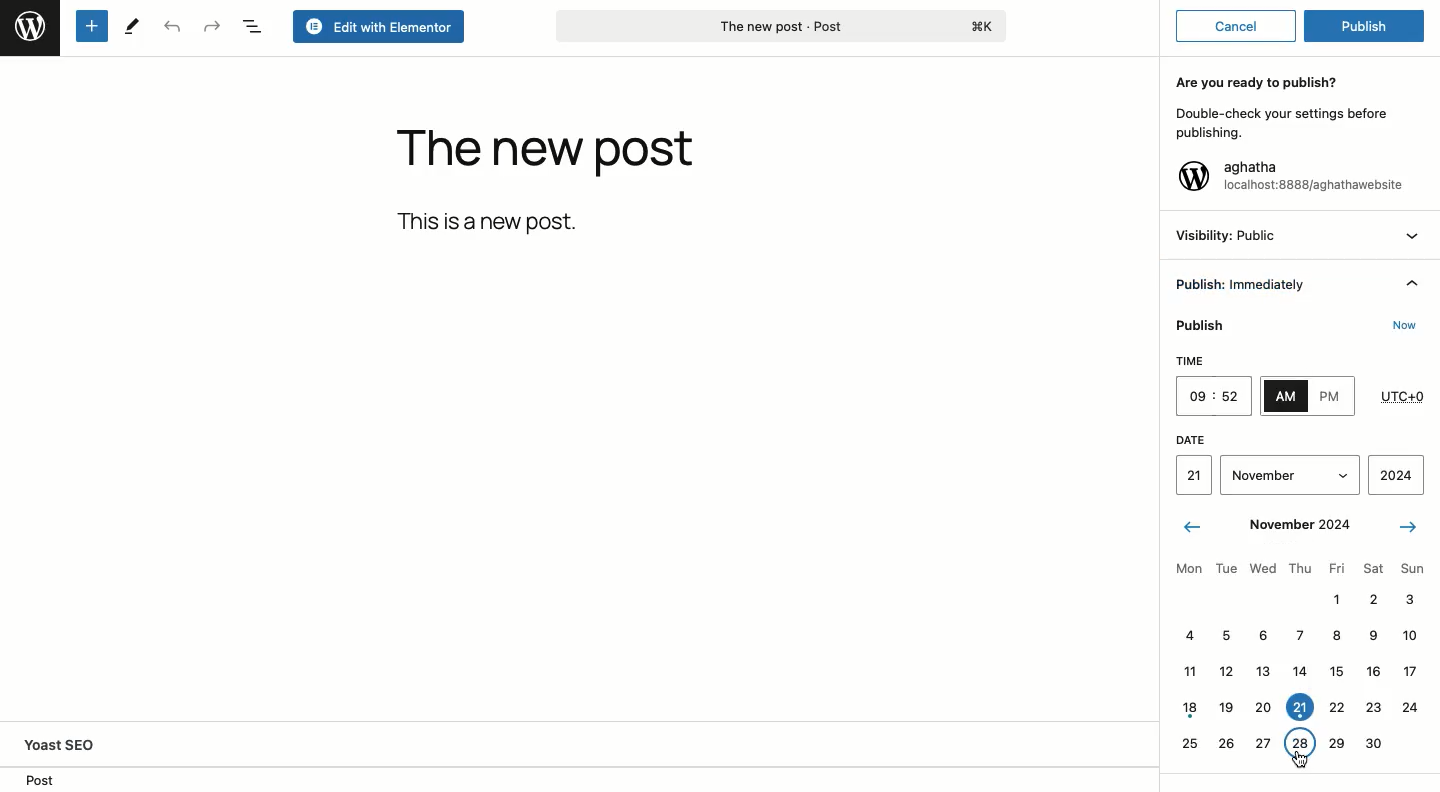 Image resolution: width=1440 pixels, height=792 pixels. I want to click on 7, so click(1293, 634).